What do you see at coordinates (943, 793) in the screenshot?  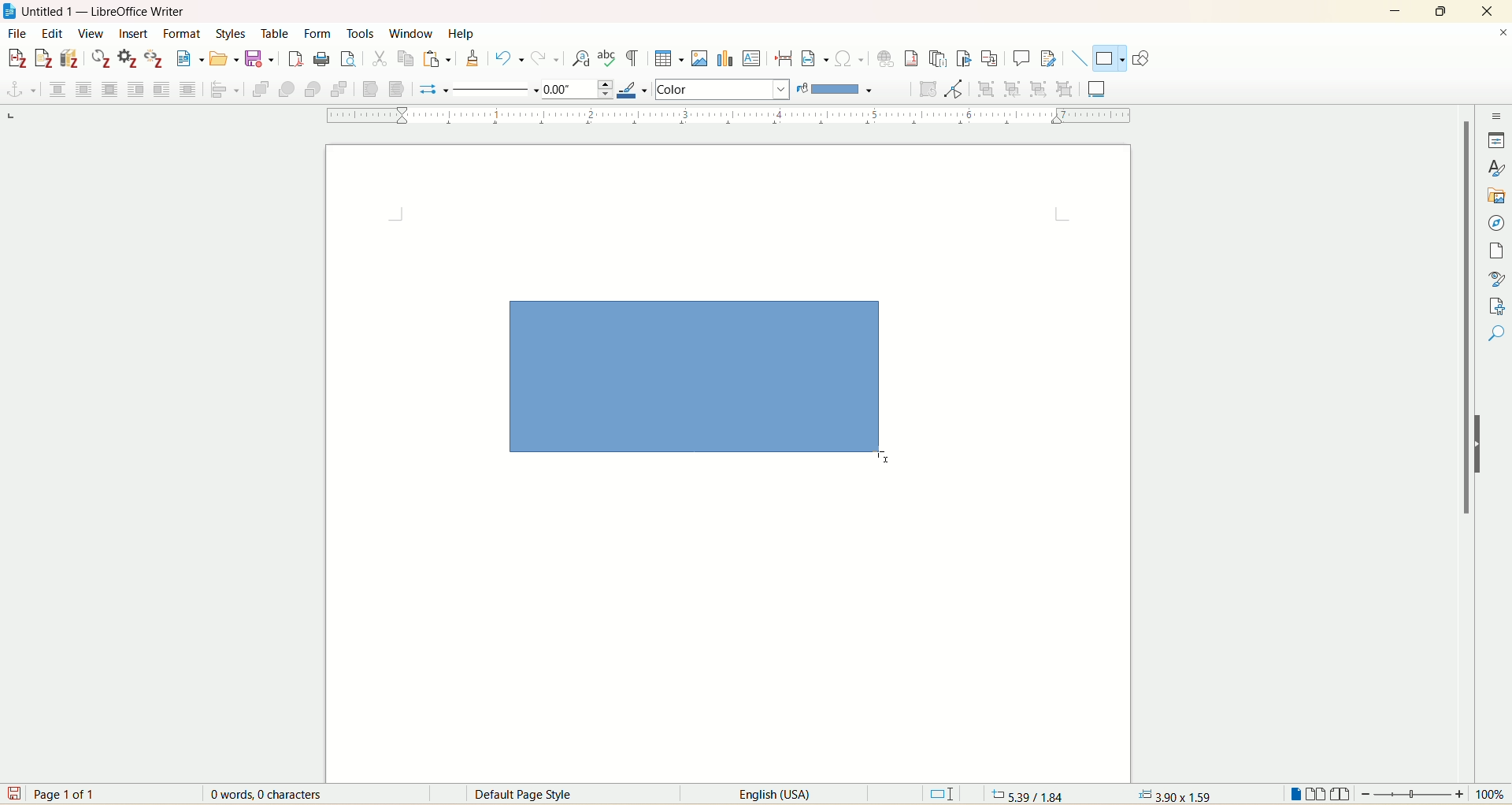 I see `standard selection` at bounding box center [943, 793].